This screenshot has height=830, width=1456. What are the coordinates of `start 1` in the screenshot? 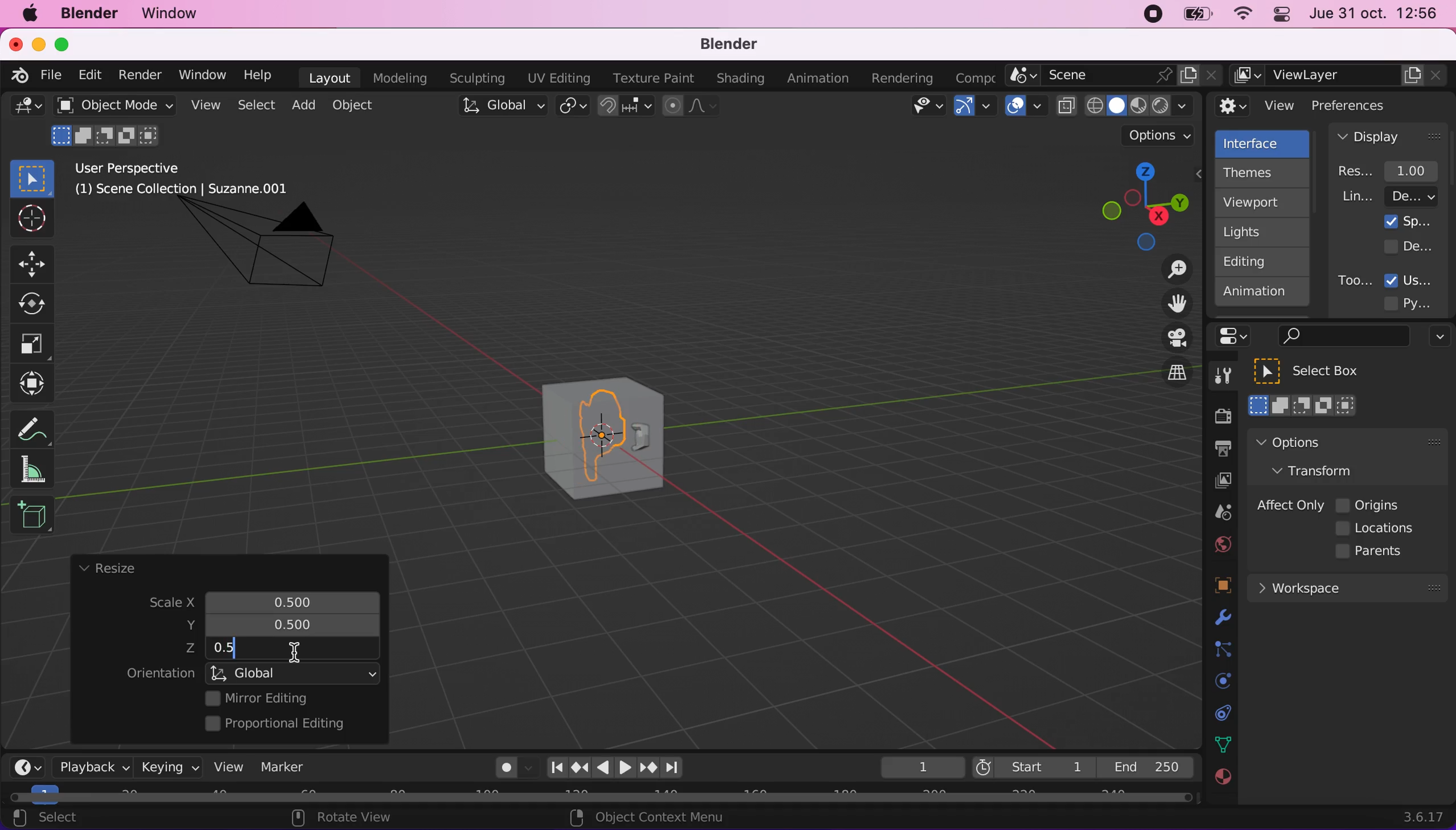 It's located at (1032, 767).